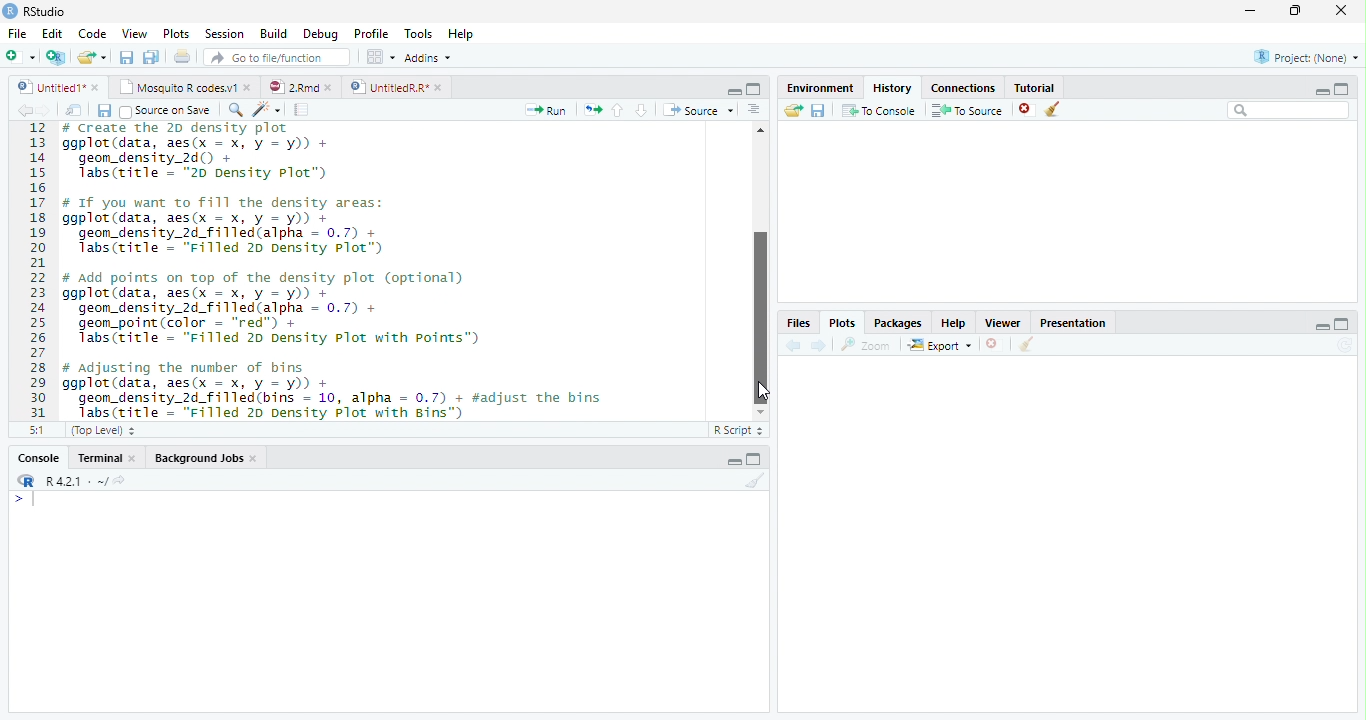  Describe the element at coordinates (953, 325) in the screenshot. I see `Help` at that location.